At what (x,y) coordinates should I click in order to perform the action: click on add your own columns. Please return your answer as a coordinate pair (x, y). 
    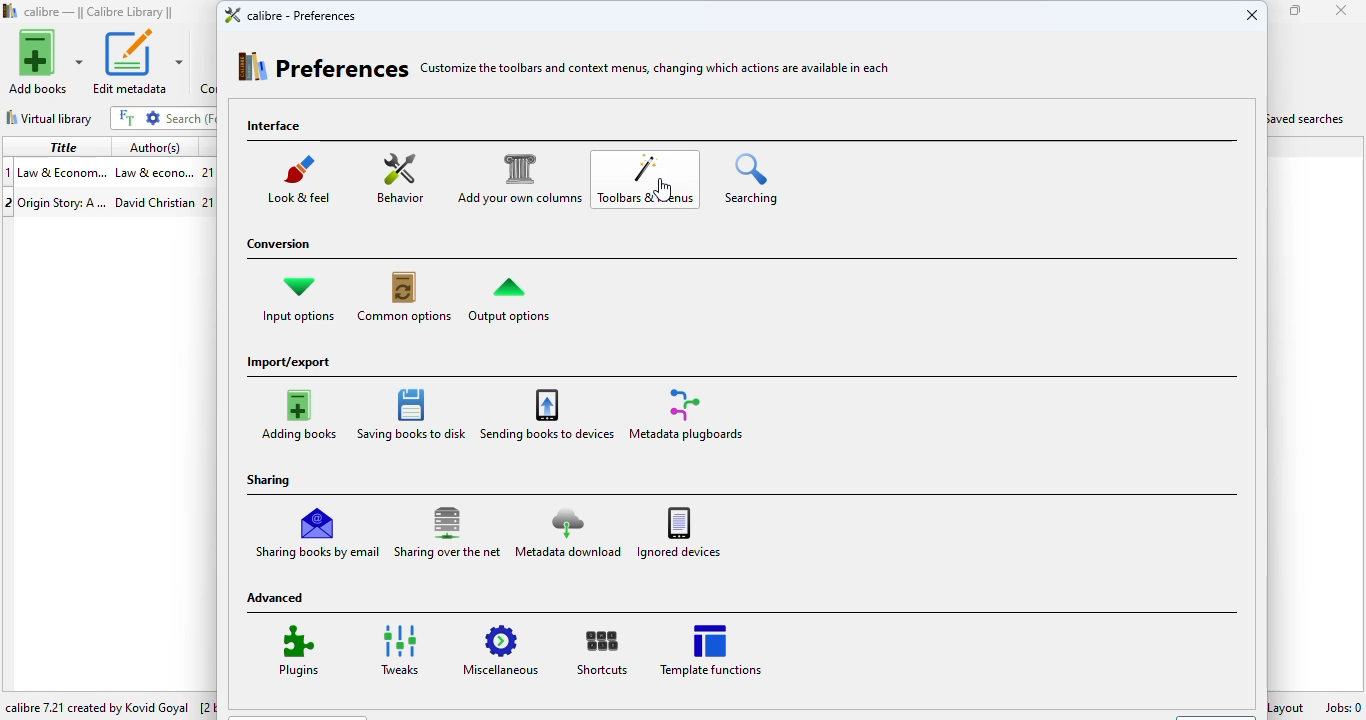
    Looking at the image, I should click on (517, 177).